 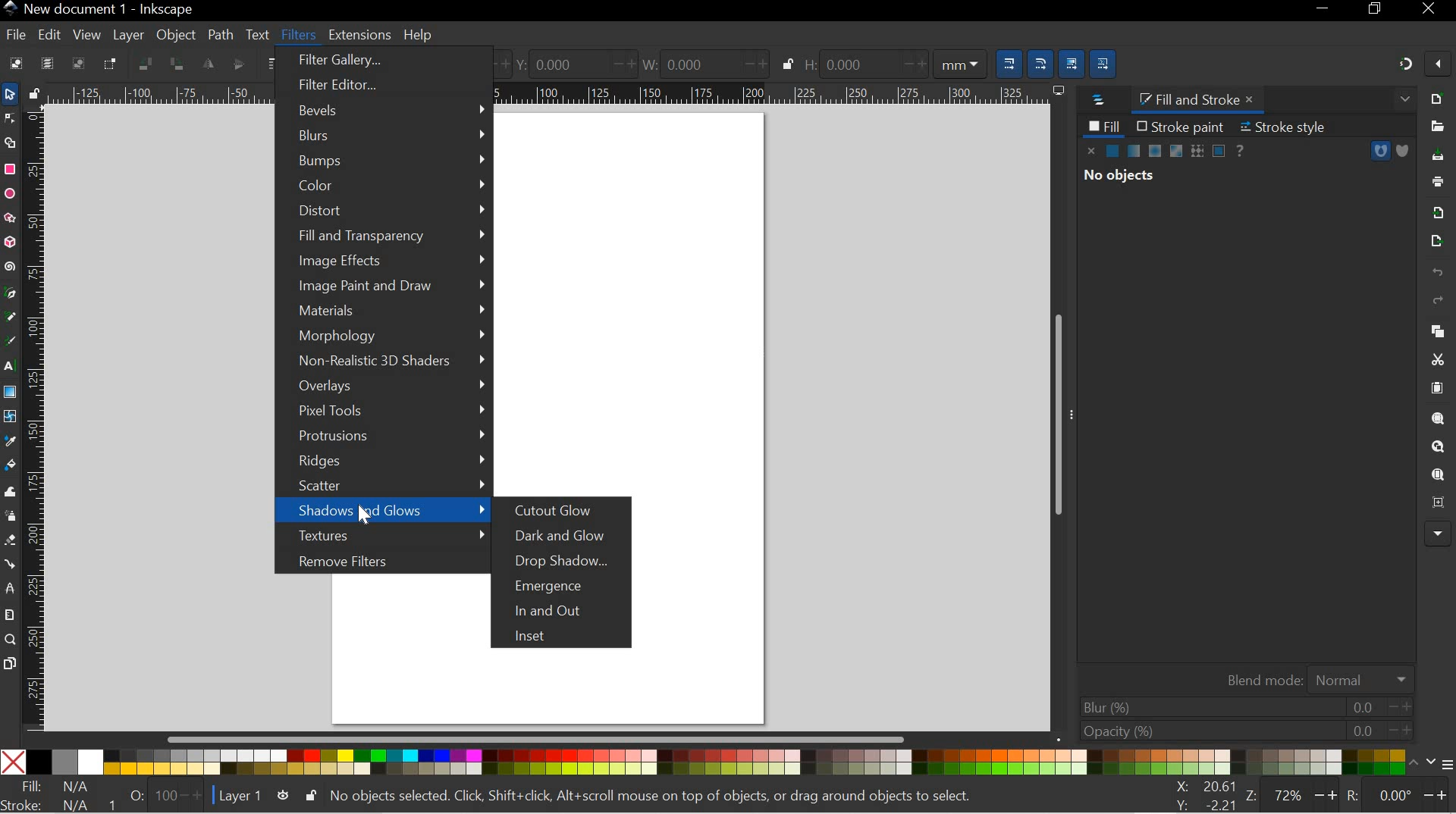 What do you see at coordinates (177, 37) in the screenshot?
I see `OBJECT` at bounding box center [177, 37].